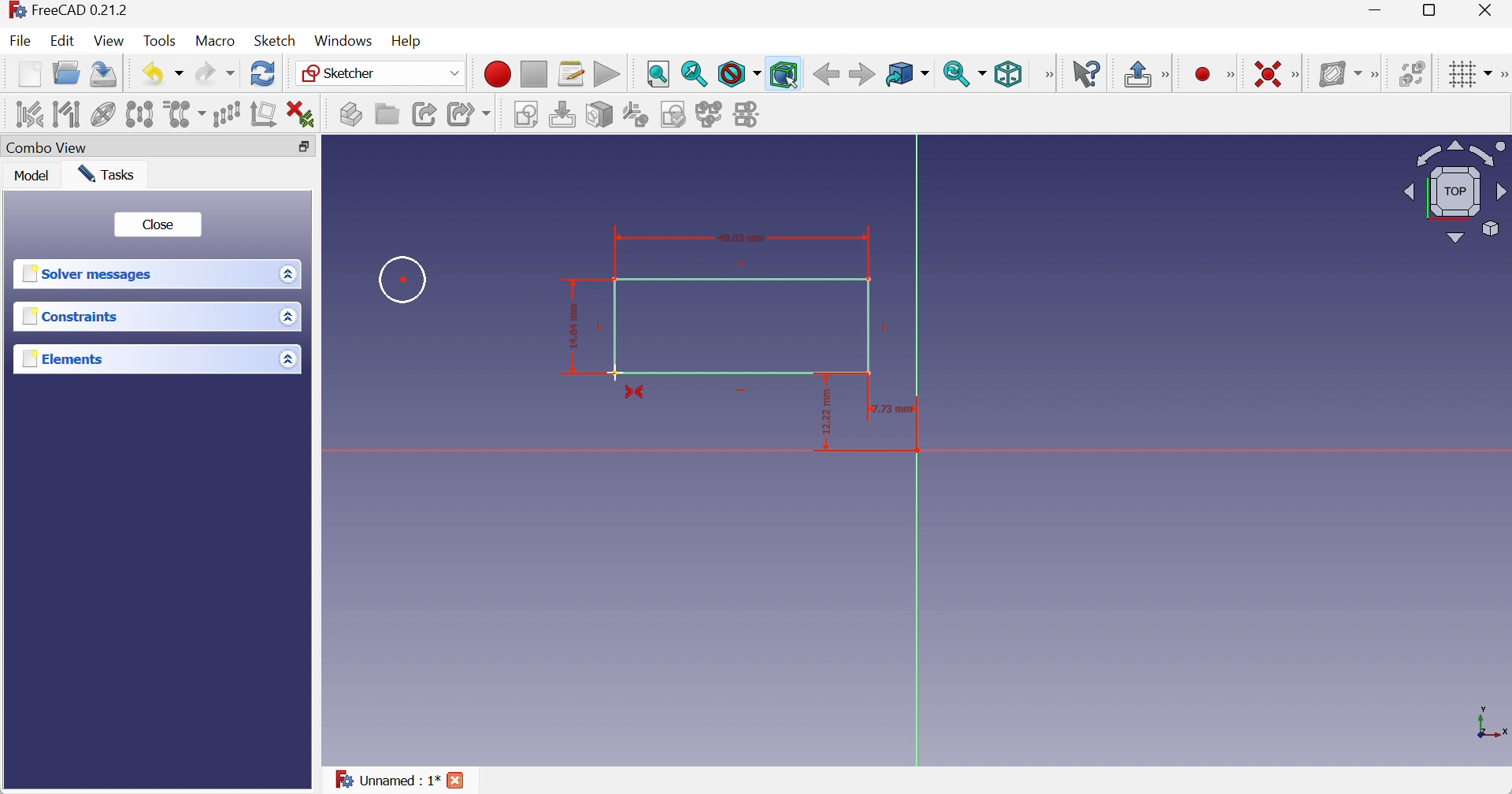  What do you see at coordinates (1340, 74) in the screenshot?
I see `[Show/hide B-spline information layer]` at bounding box center [1340, 74].